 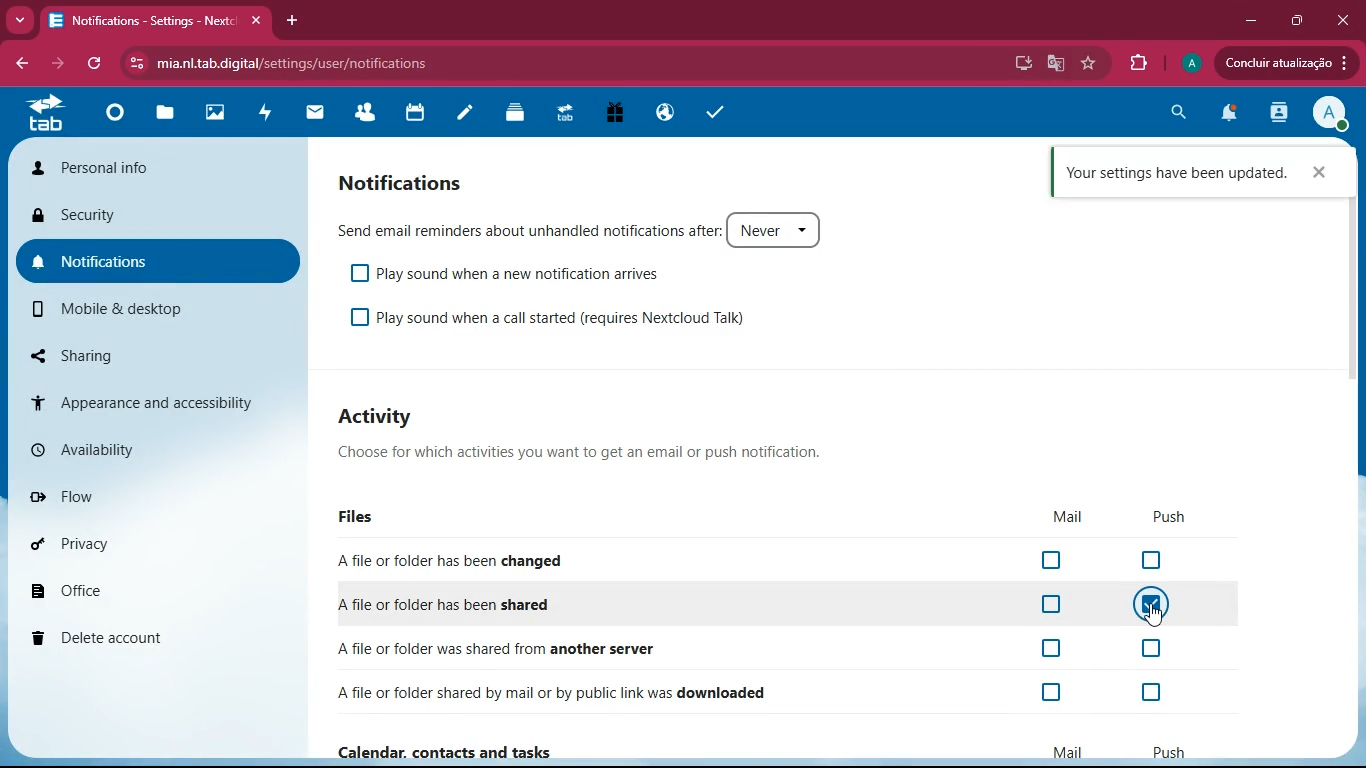 What do you see at coordinates (293, 18) in the screenshot?
I see `add tab` at bounding box center [293, 18].